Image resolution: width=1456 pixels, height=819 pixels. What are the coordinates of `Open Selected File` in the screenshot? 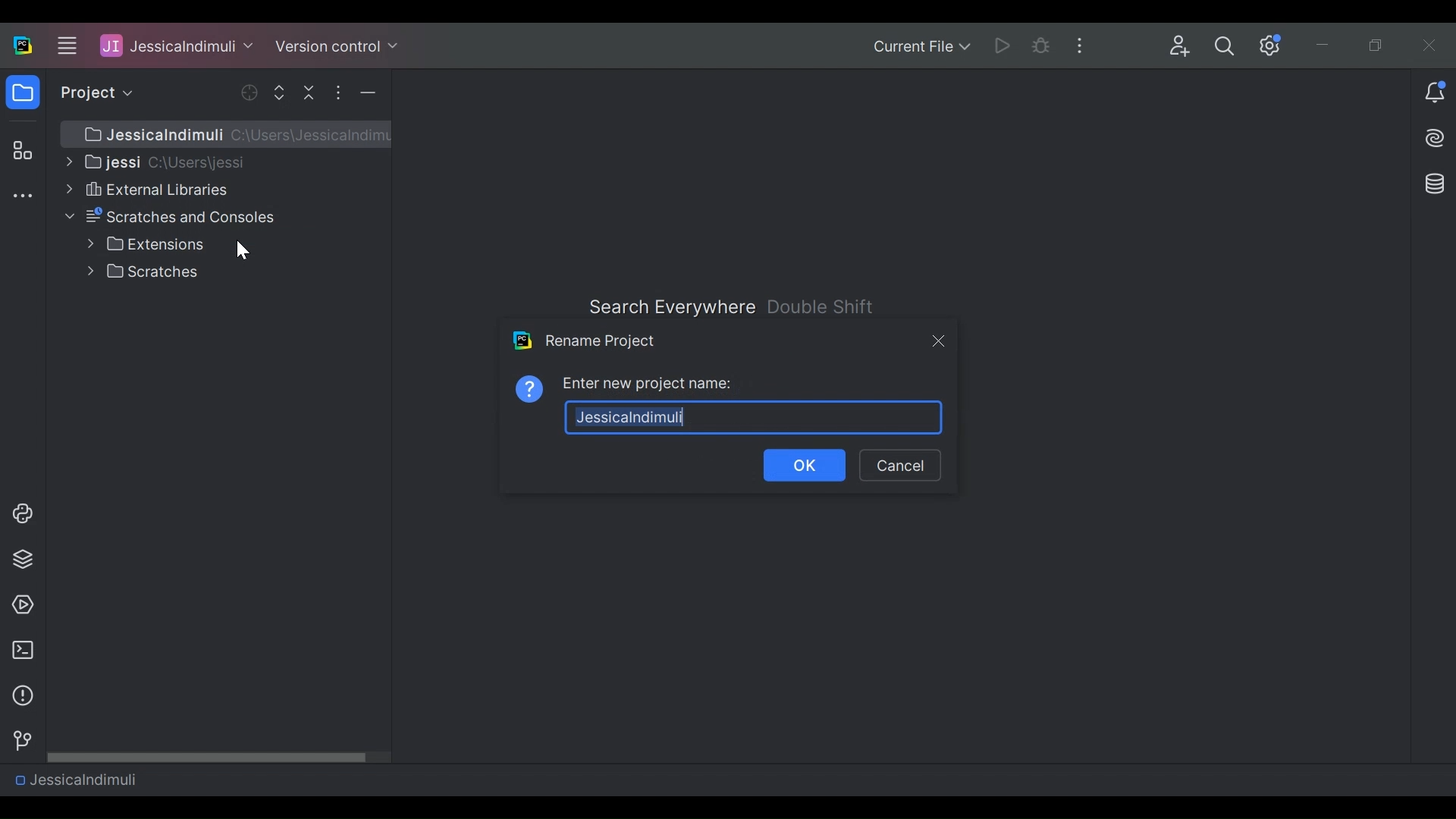 It's located at (251, 93).